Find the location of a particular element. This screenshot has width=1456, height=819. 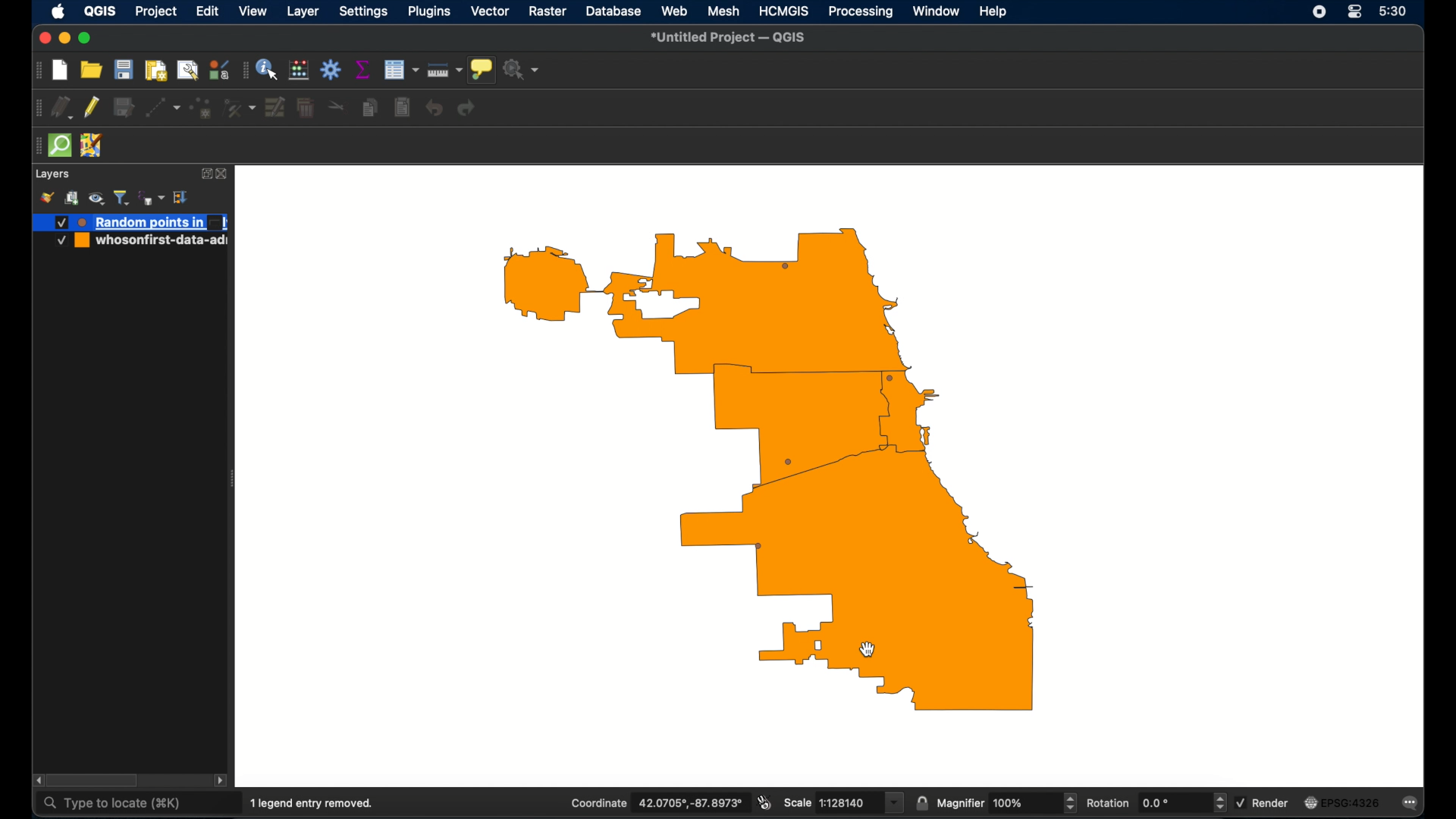

style manager is located at coordinates (46, 198).